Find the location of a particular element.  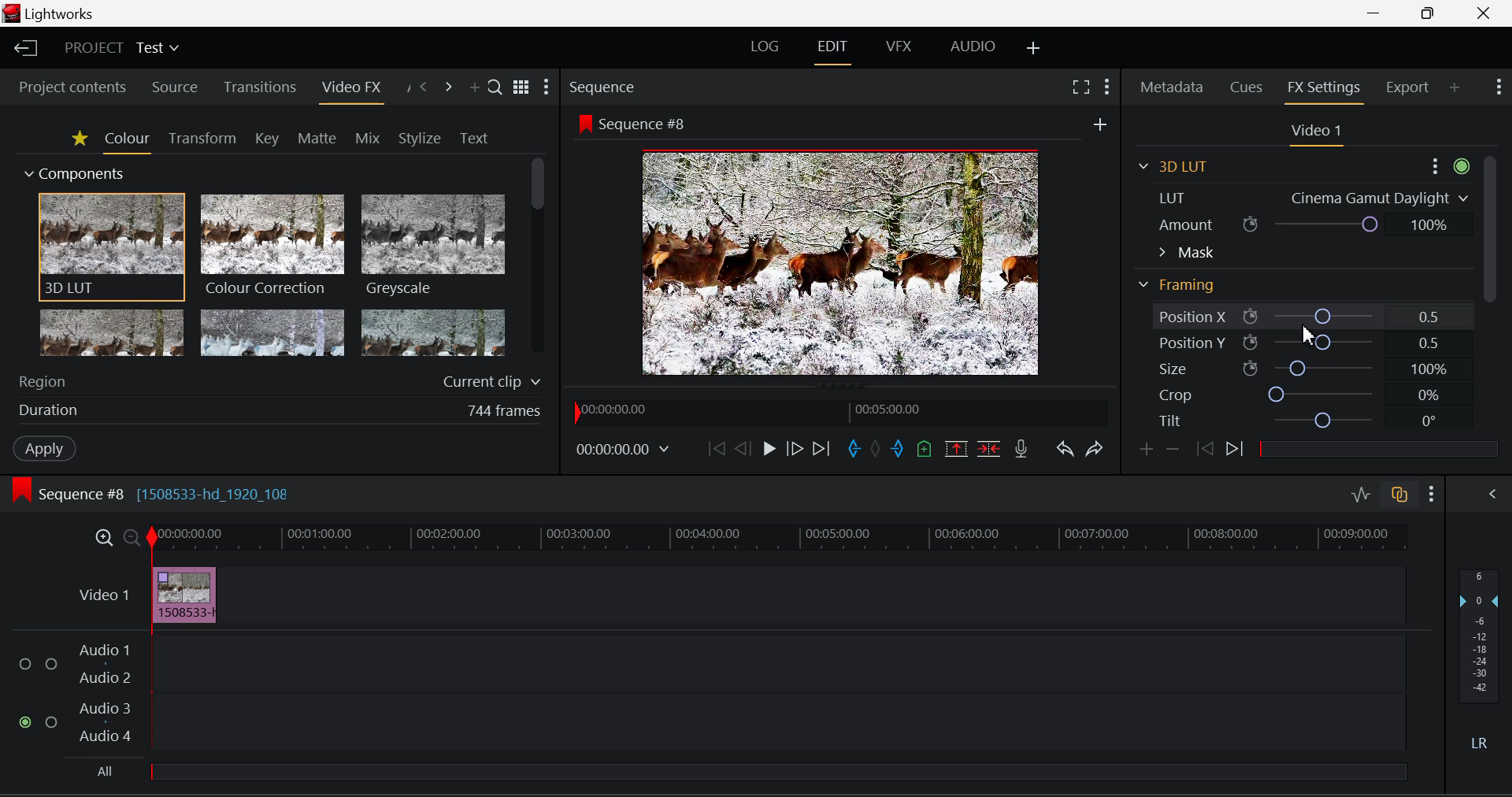

Audio4 is located at coordinates (106, 736).